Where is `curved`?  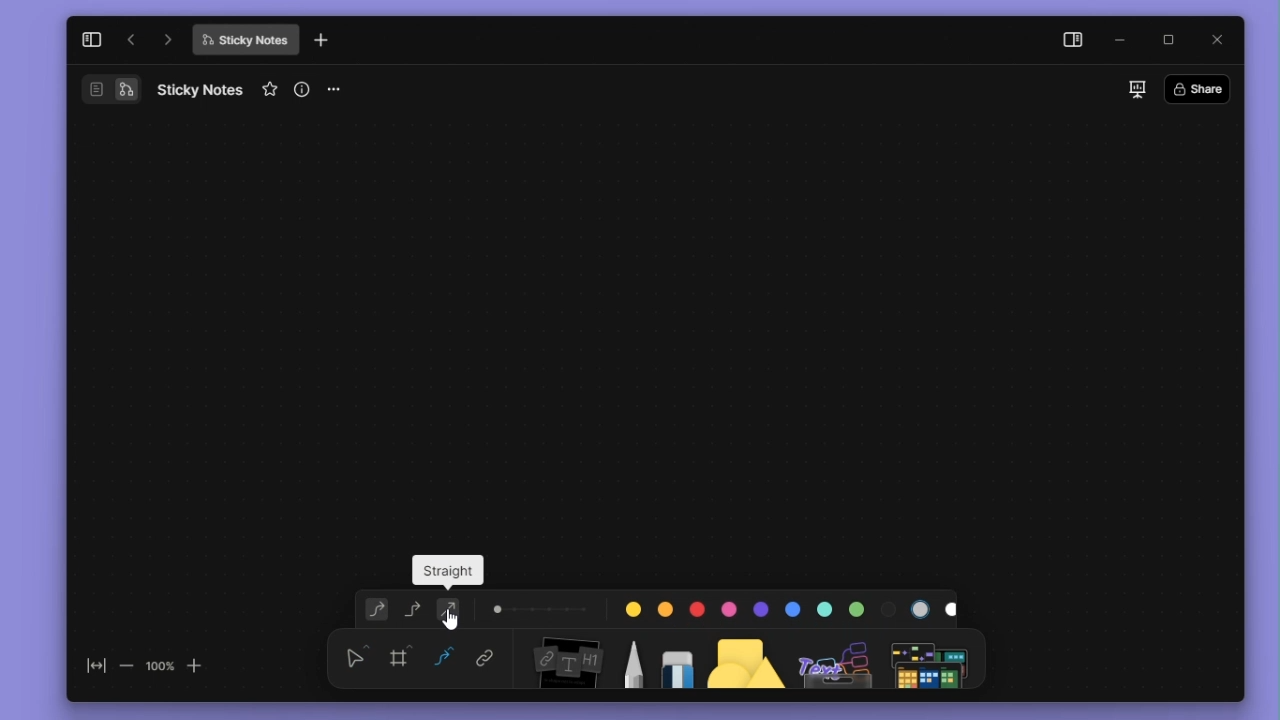 curved is located at coordinates (373, 610).